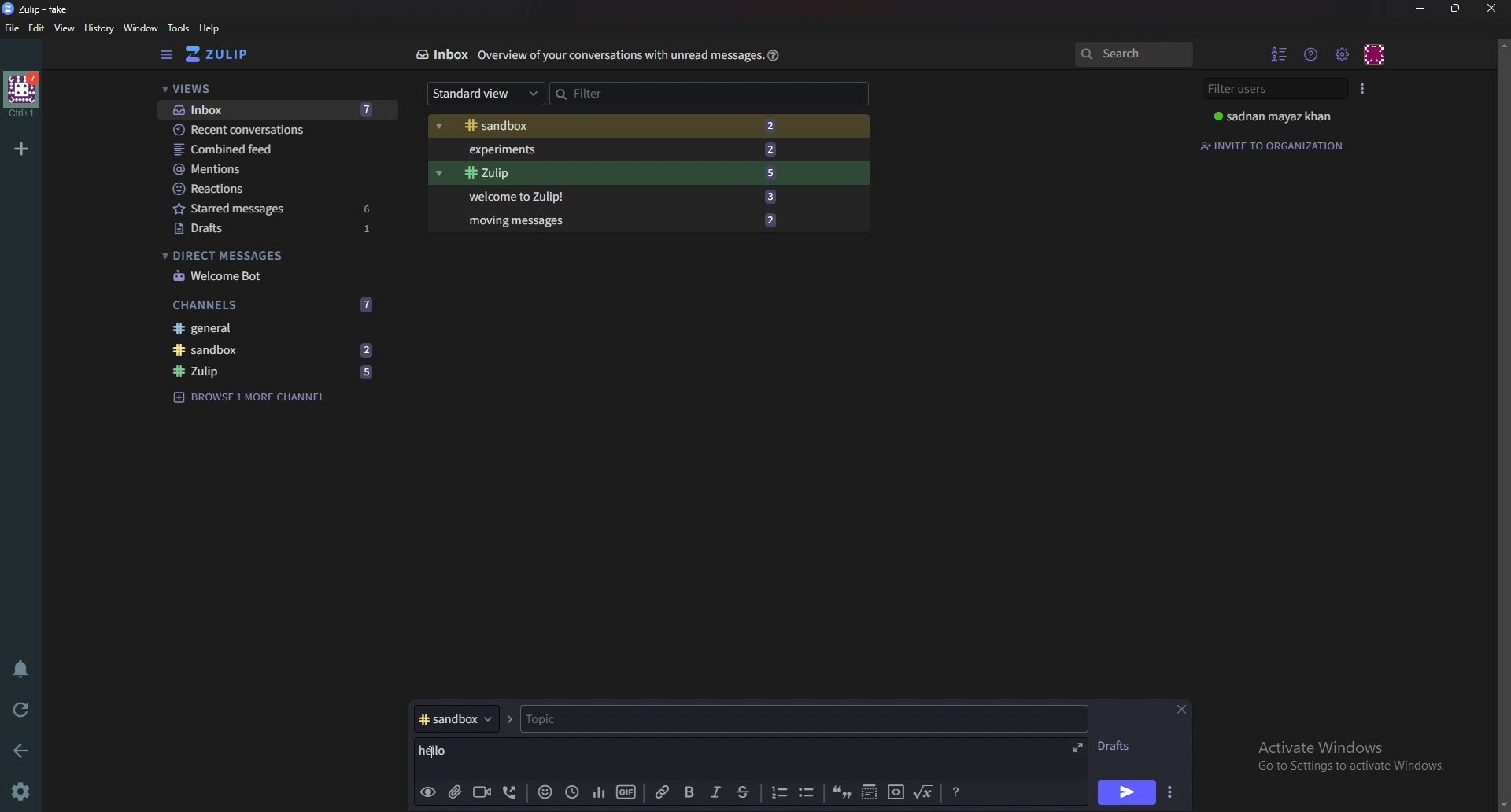  Describe the element at coordinates (209, 29) in the screenshot. I see `help` at that location.